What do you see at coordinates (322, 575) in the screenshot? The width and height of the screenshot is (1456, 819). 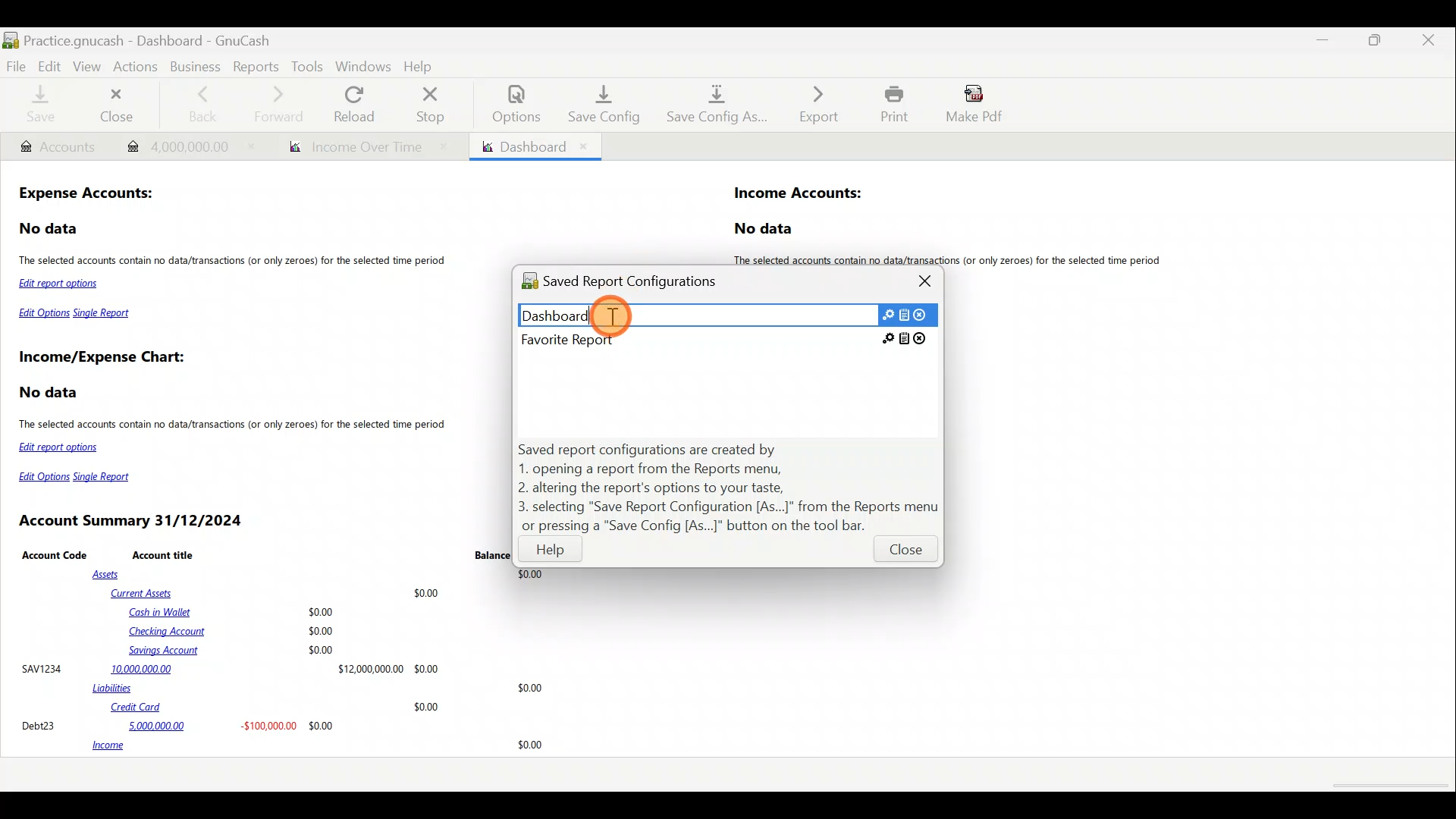 I see `Assets $0.00` at bounding box center [322, 575].